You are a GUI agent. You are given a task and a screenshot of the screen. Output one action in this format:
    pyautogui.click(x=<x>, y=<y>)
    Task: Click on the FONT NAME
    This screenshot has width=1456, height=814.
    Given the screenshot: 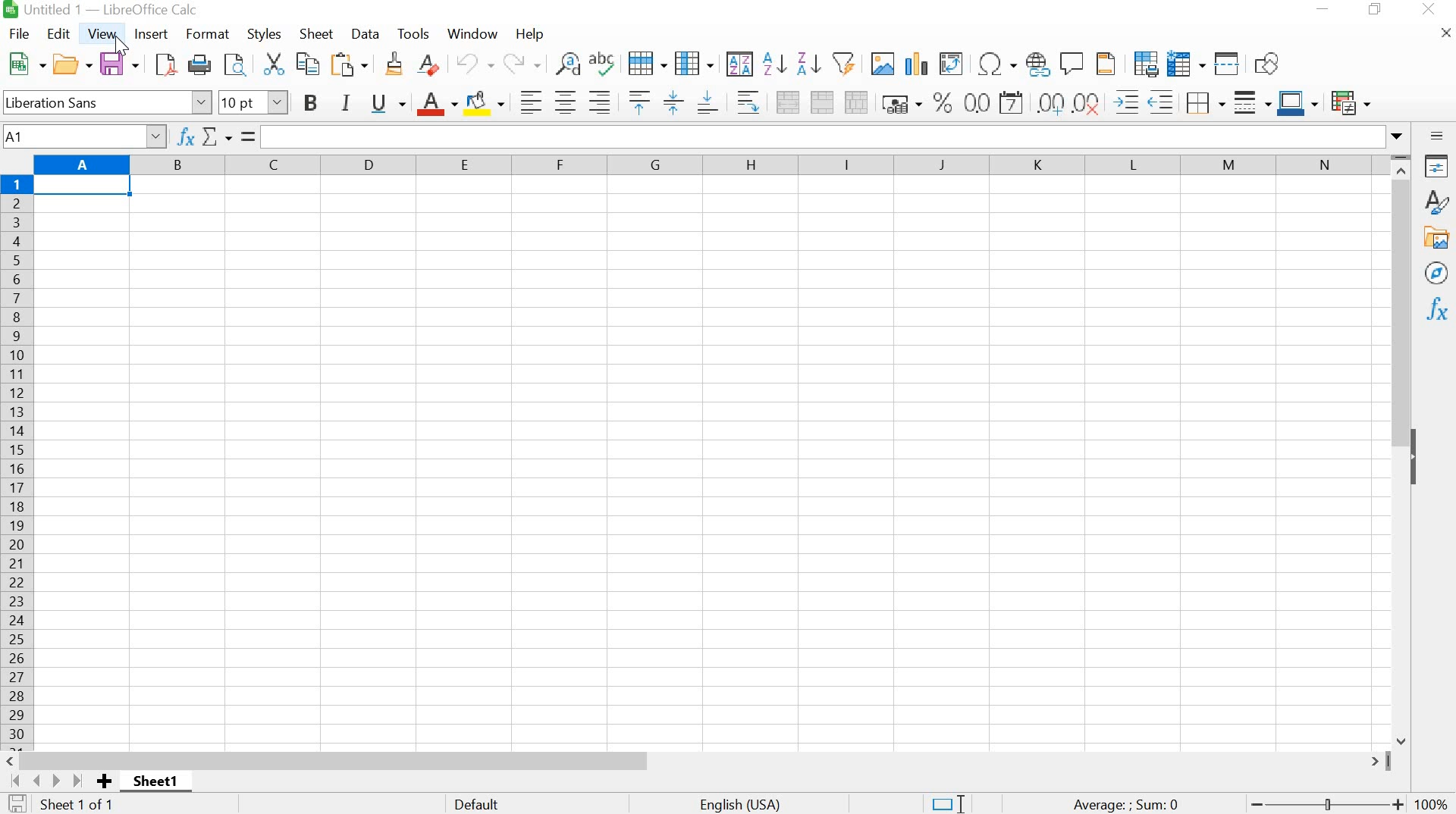 What is the action you would take?
    pyautogui.click(x=106, y=101)
    